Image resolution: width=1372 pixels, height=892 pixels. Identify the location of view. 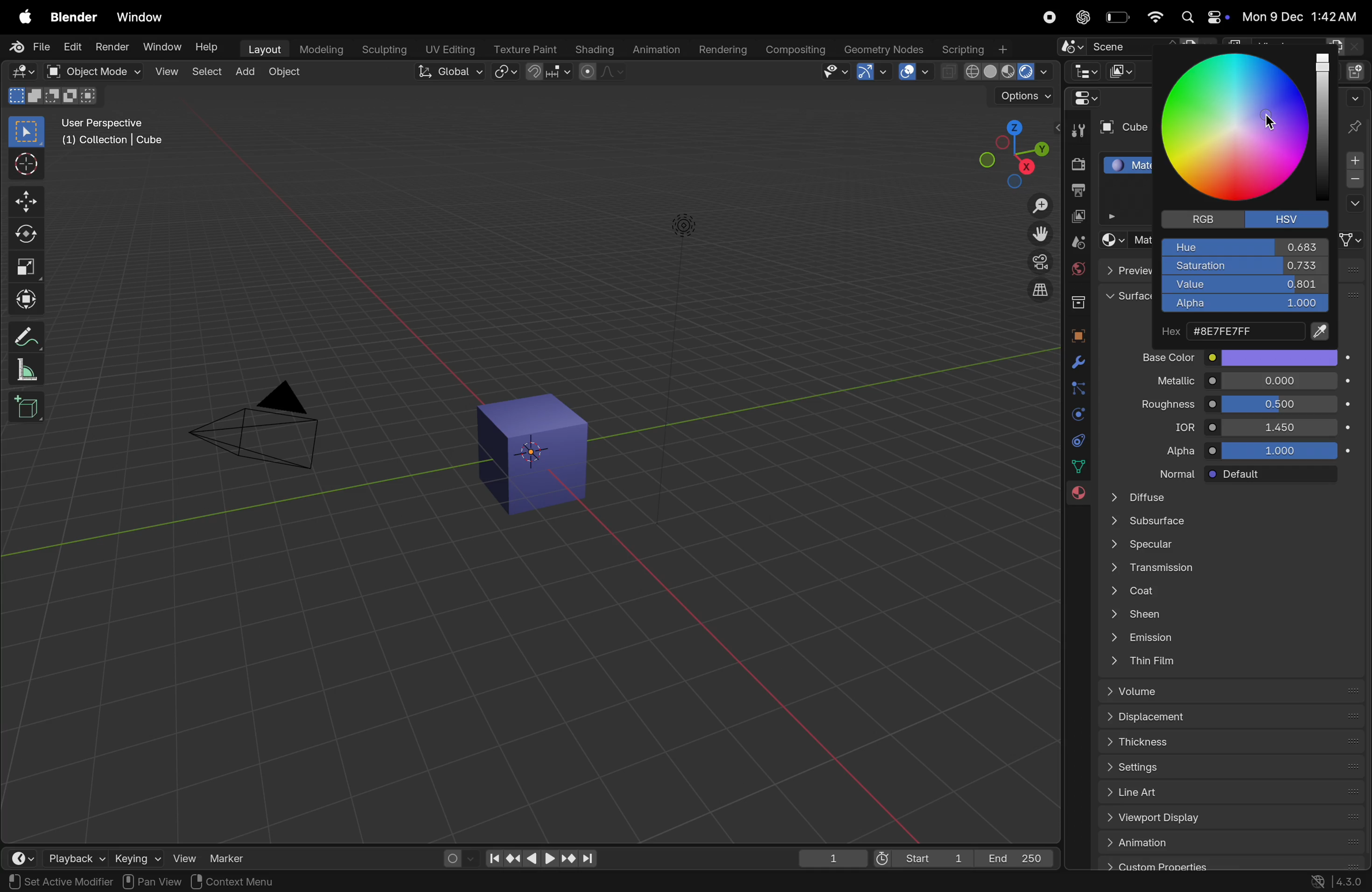
(166, 73).